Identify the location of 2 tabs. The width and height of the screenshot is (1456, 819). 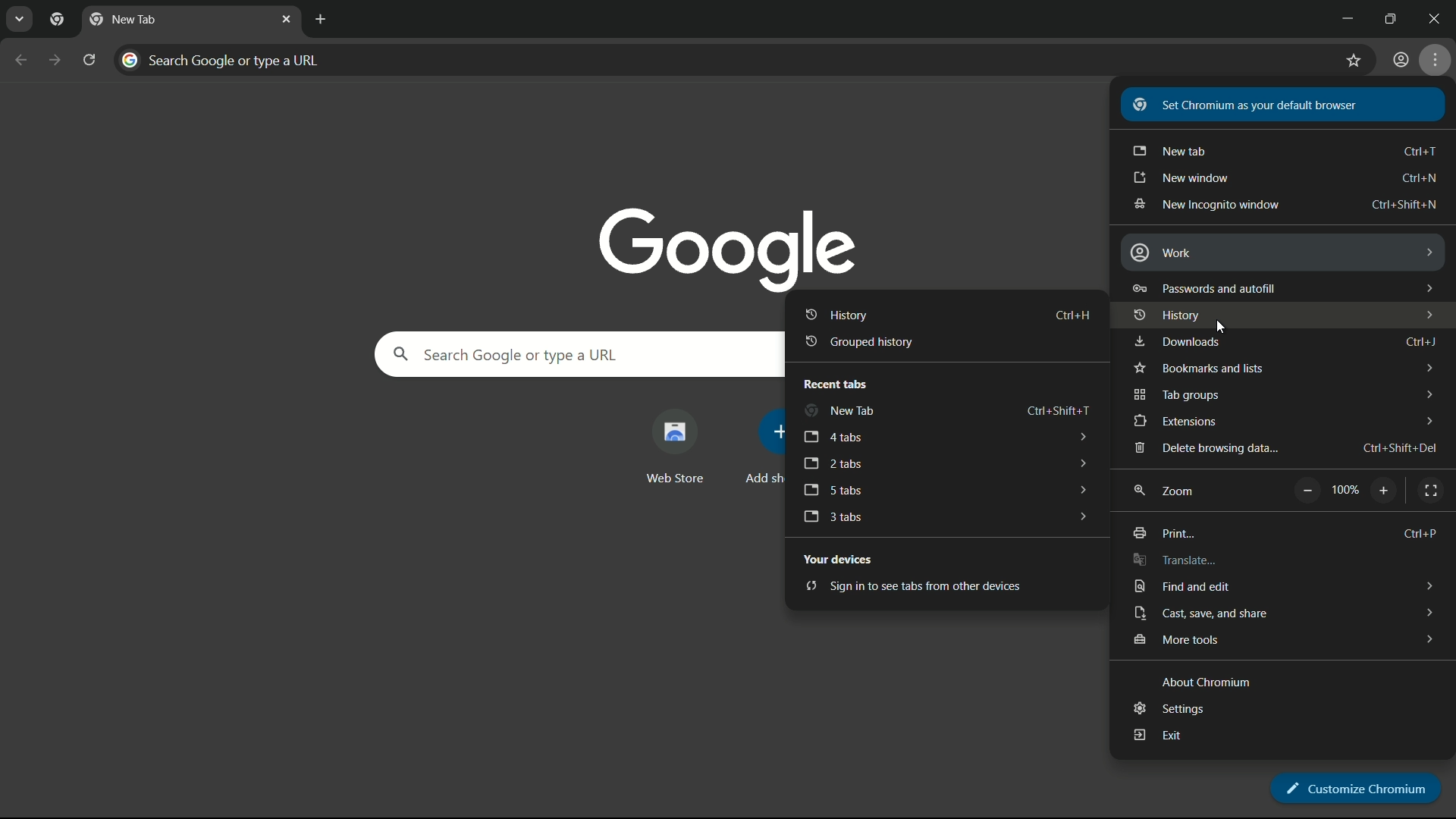
(833, 464).